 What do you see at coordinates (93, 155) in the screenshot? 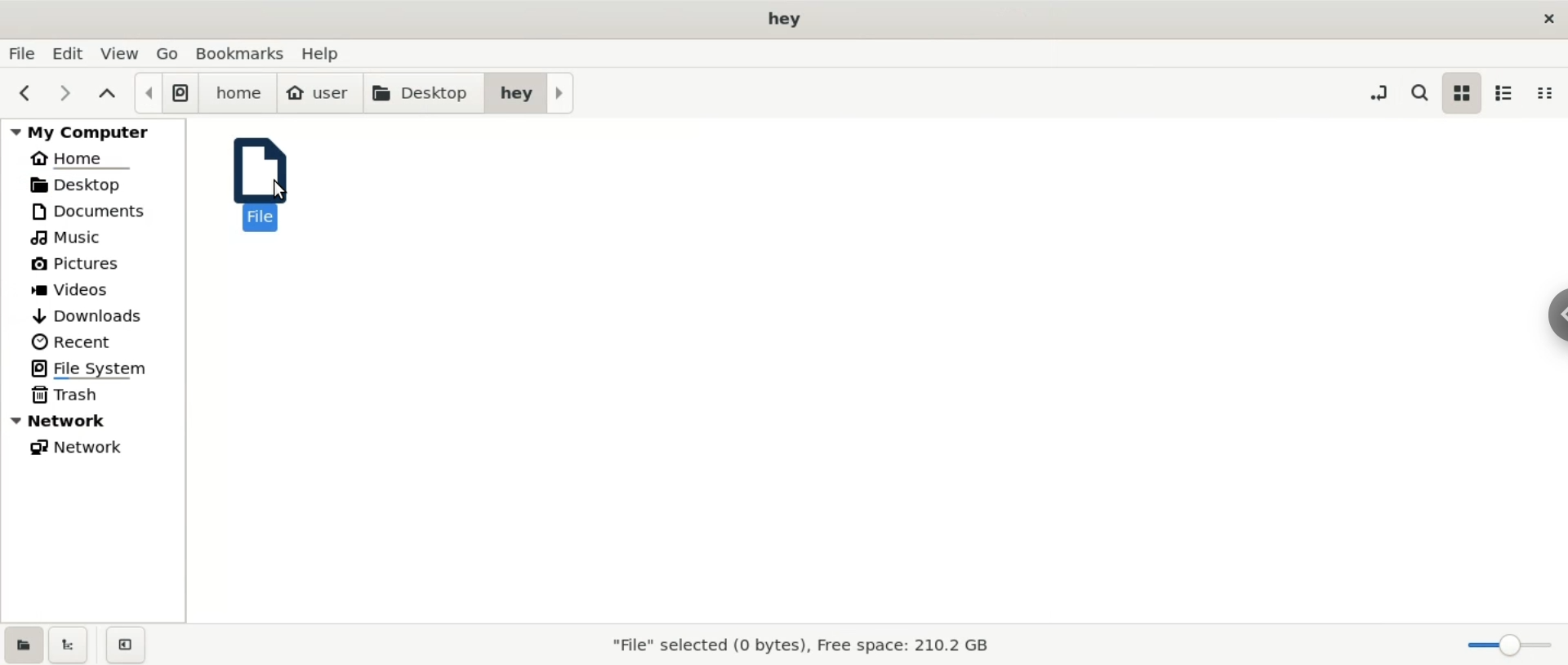
I see `home` at bounding box center [93, 155].